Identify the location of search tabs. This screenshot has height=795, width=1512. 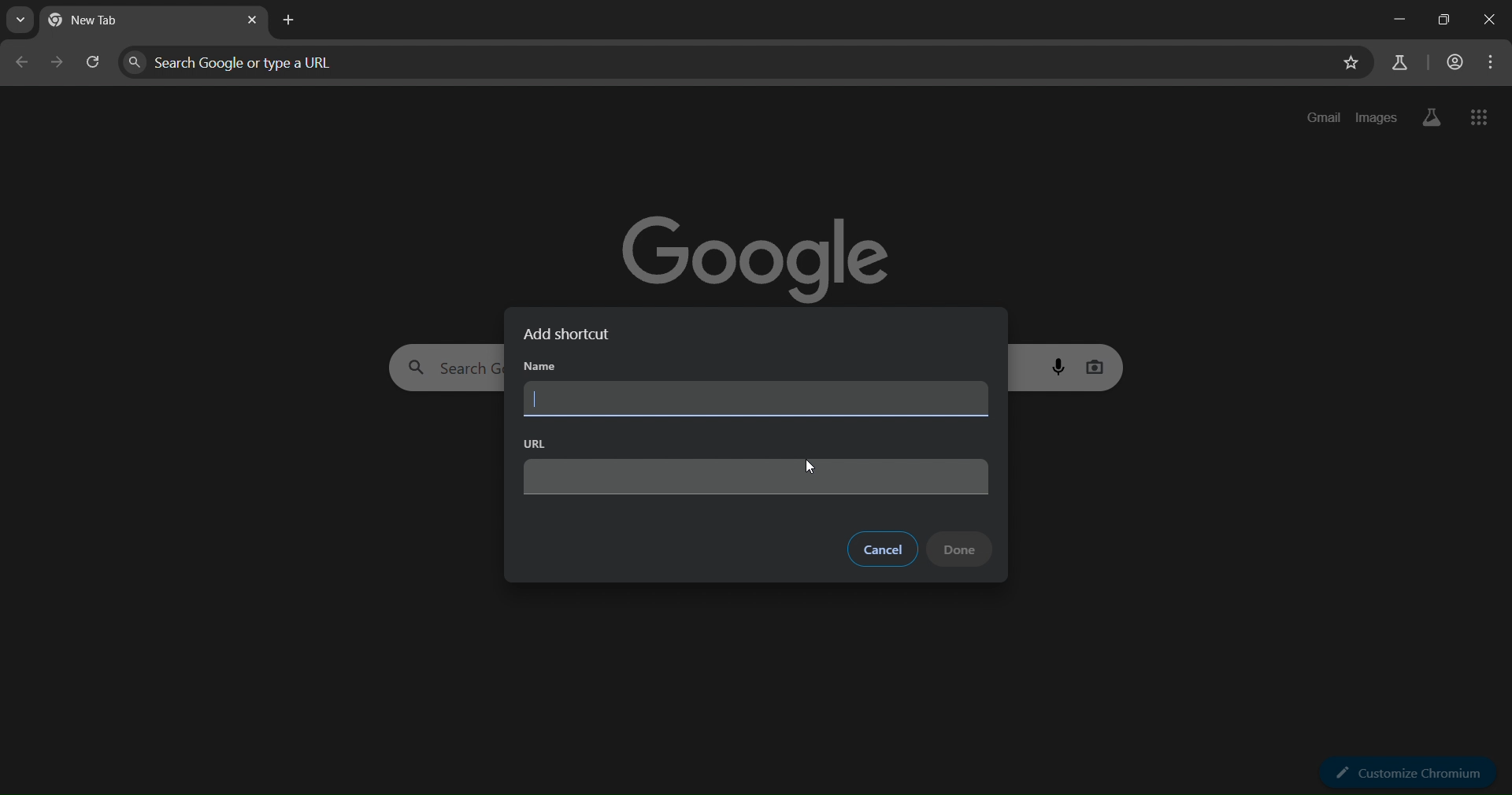
(24, 20).